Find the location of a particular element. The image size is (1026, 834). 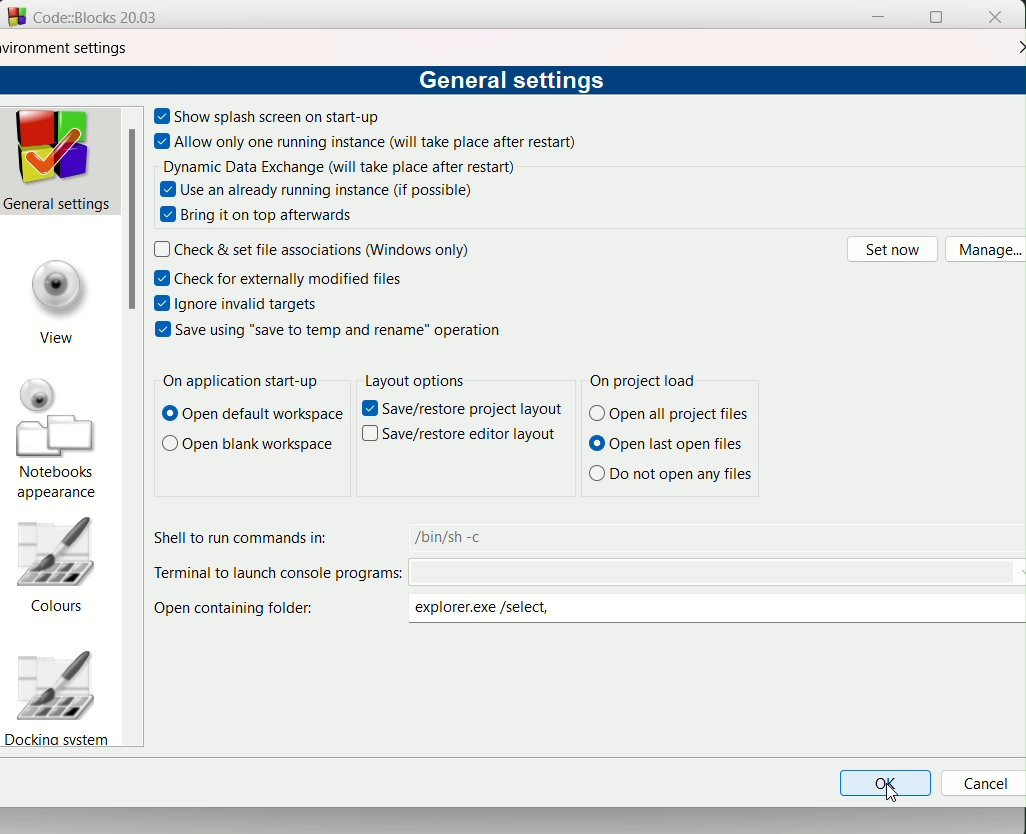

Docking system is located at coordinates (63, 696).